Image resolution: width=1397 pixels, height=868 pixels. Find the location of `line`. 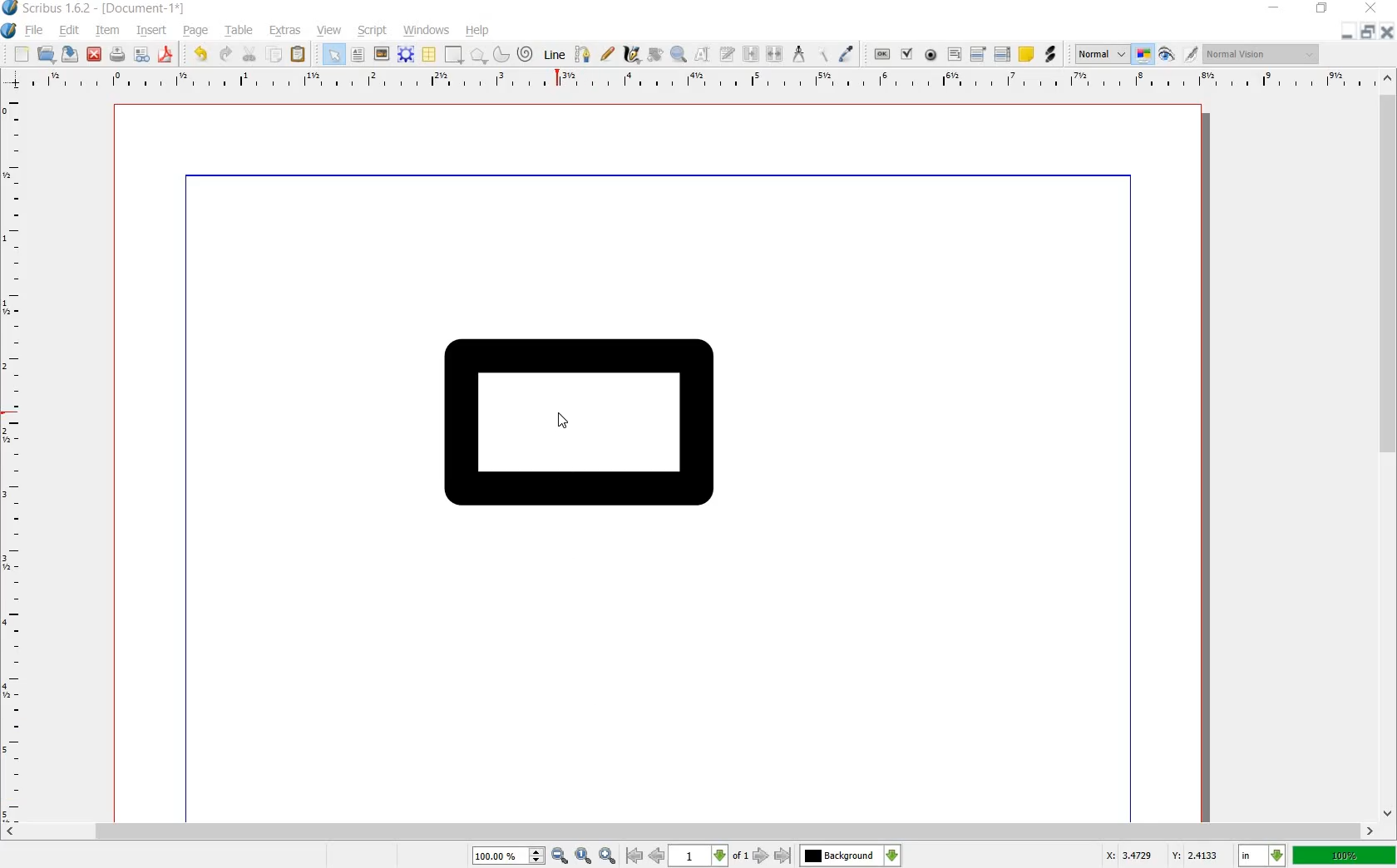

line is located at coordinates (554, 55).